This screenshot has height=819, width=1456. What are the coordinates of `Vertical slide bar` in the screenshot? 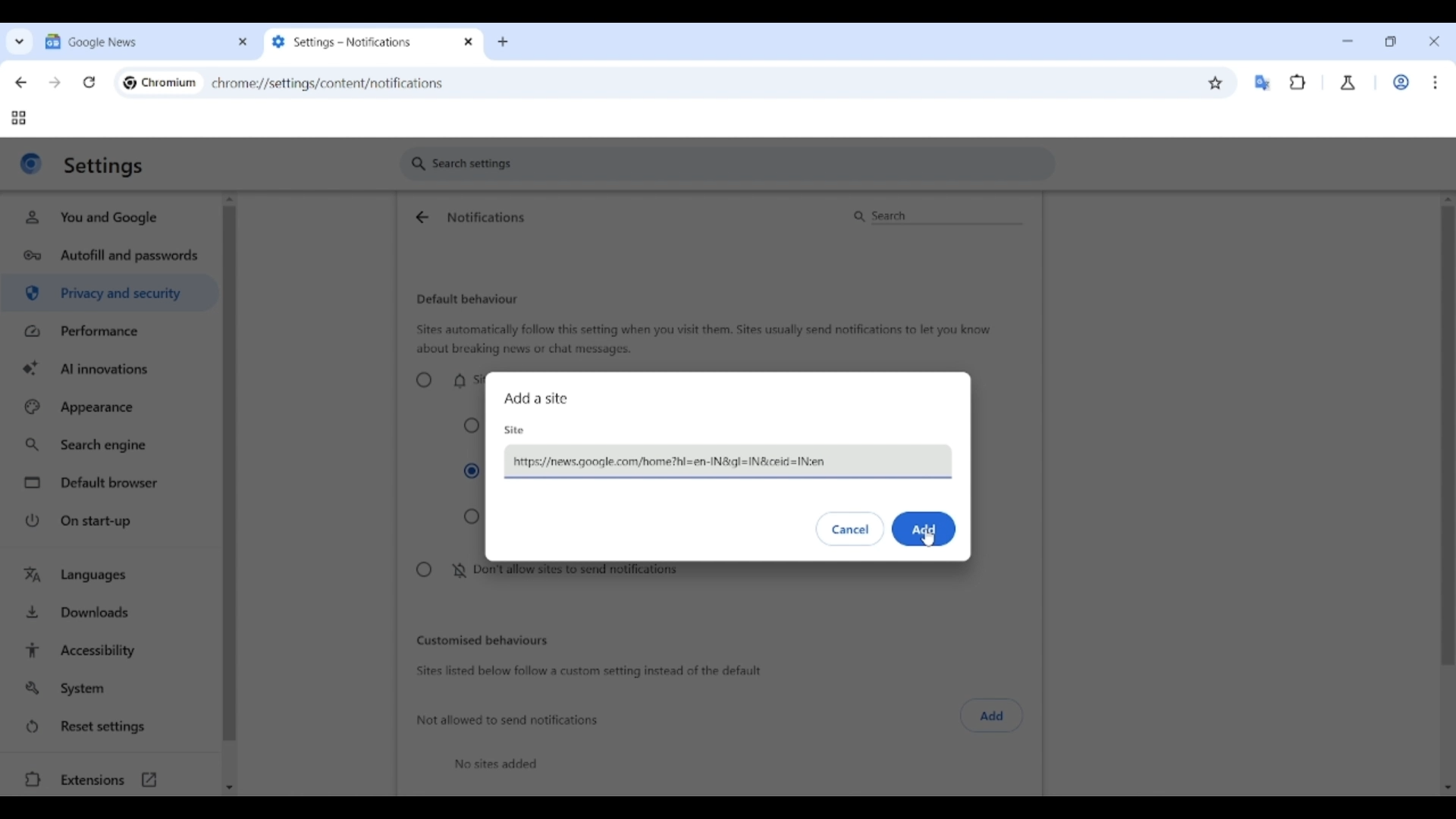 It's located at (1448, 361).